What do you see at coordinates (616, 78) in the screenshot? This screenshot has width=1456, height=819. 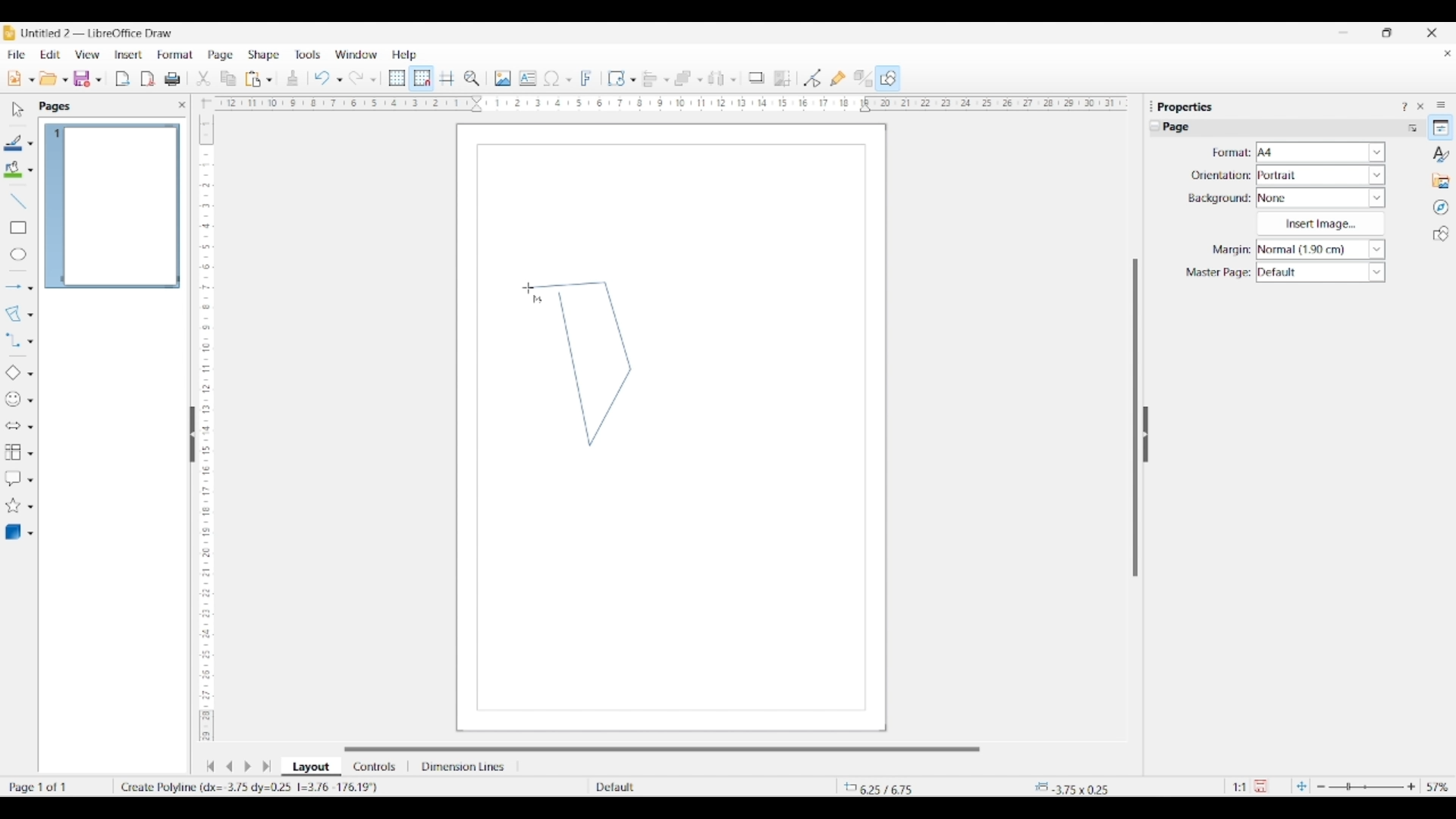 I see `Selected transformation` at bounding box center [616, 78].